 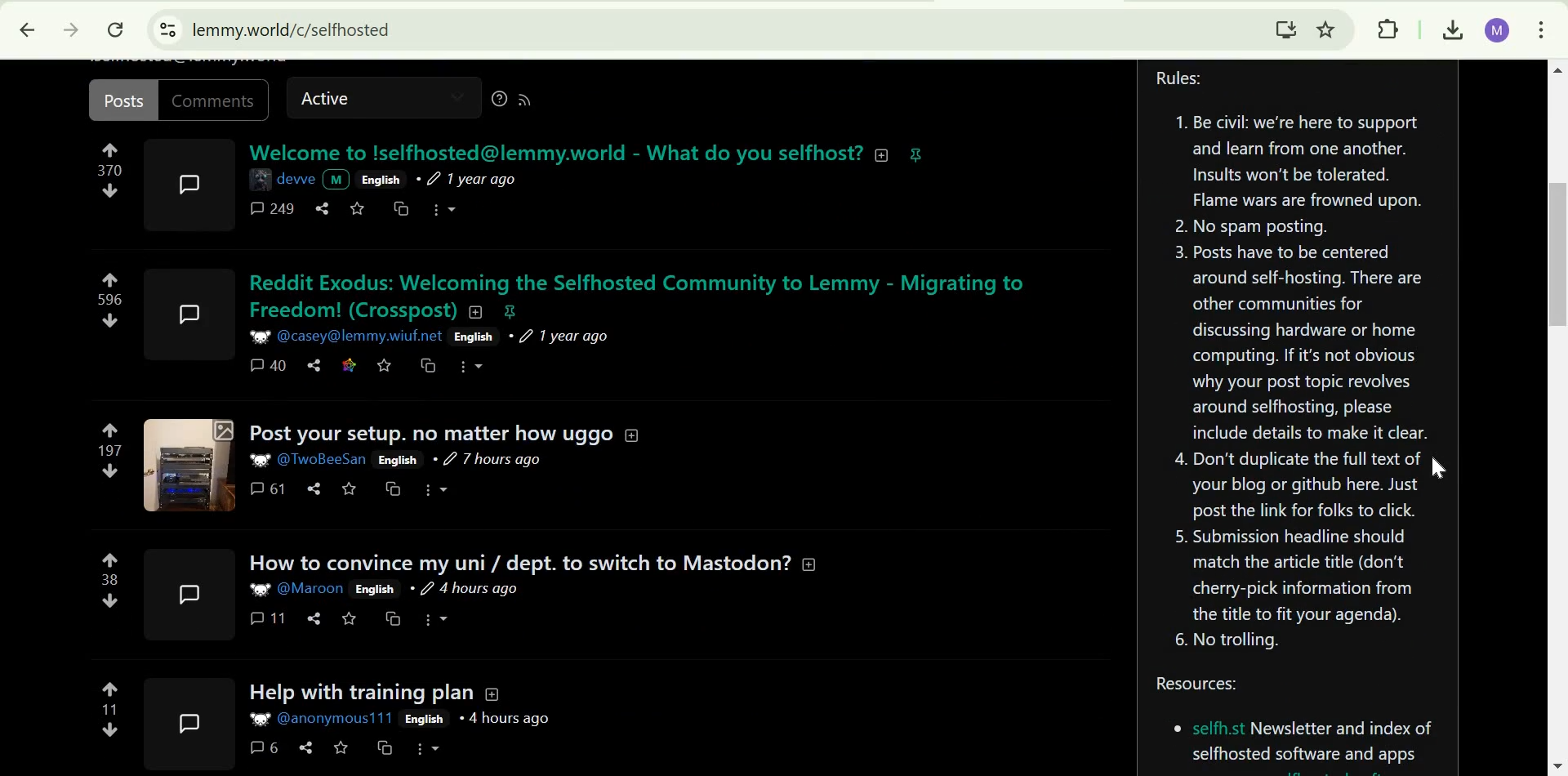 I want to click on More, so click(x=435, y=491).